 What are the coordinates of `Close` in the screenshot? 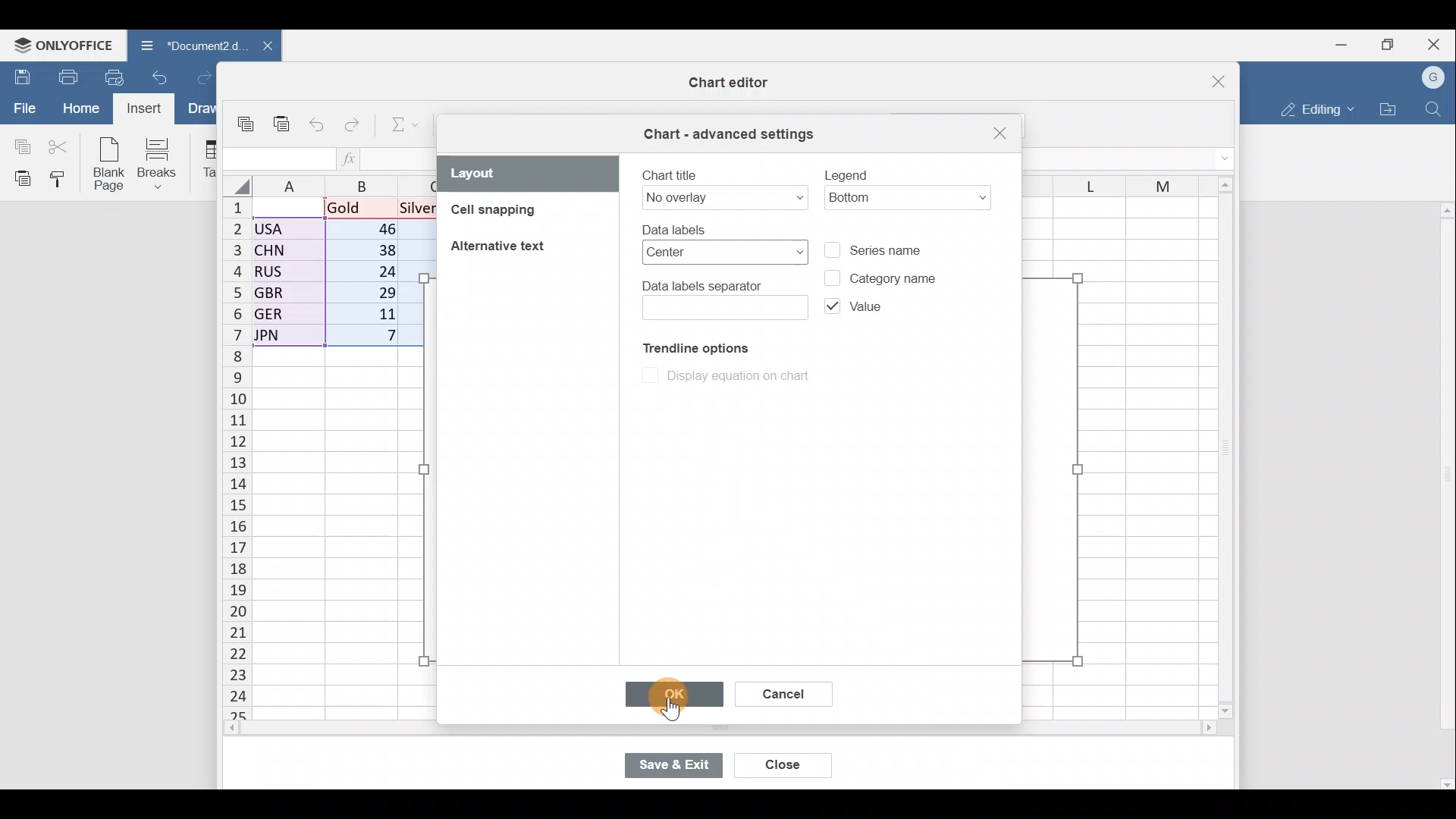 It's located at (998, 134).